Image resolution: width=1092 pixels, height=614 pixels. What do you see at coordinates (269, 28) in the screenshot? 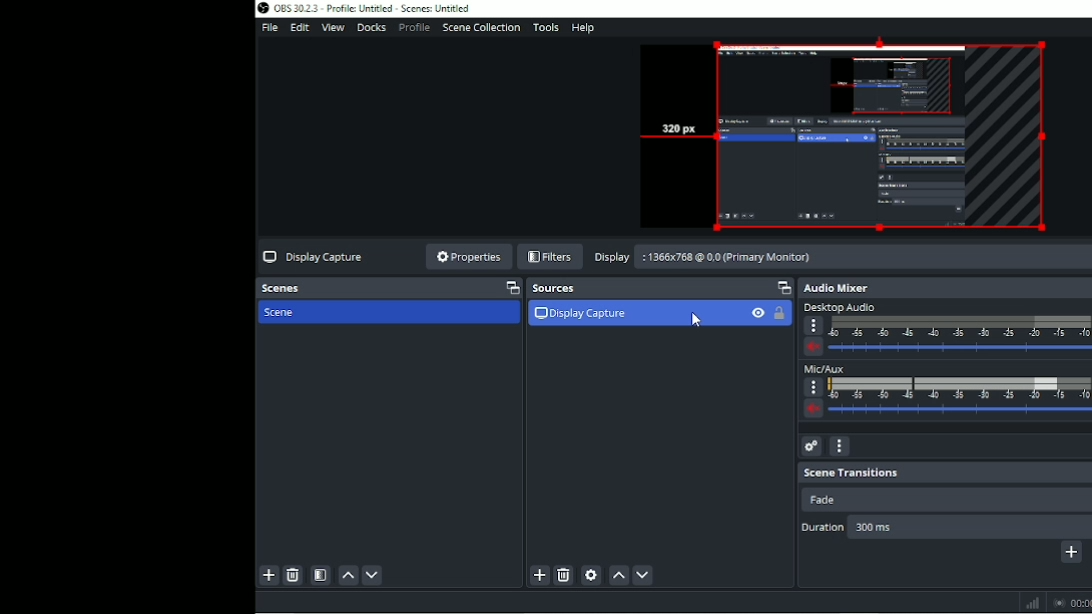
I see `File` at bounding box center [269, 28].